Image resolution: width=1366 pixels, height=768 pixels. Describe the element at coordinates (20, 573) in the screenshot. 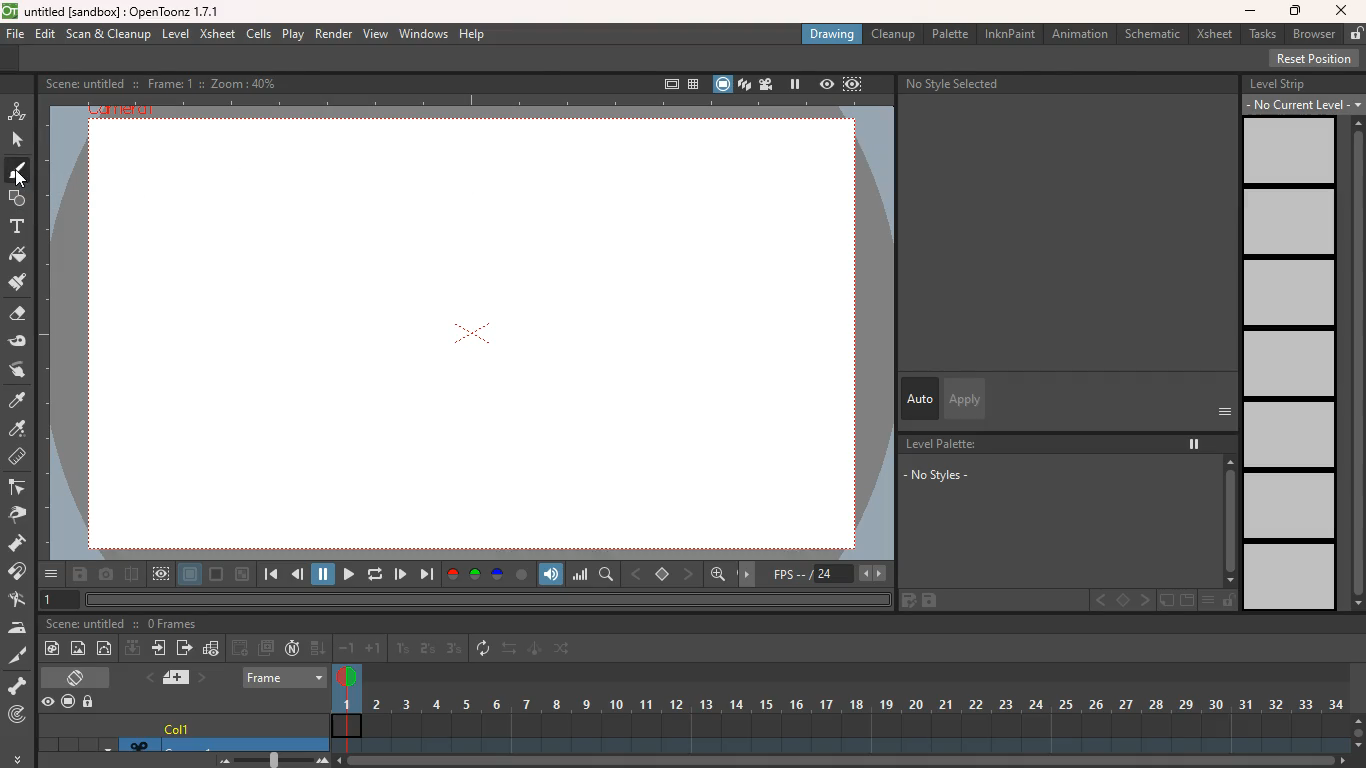

I see `join` at that location.